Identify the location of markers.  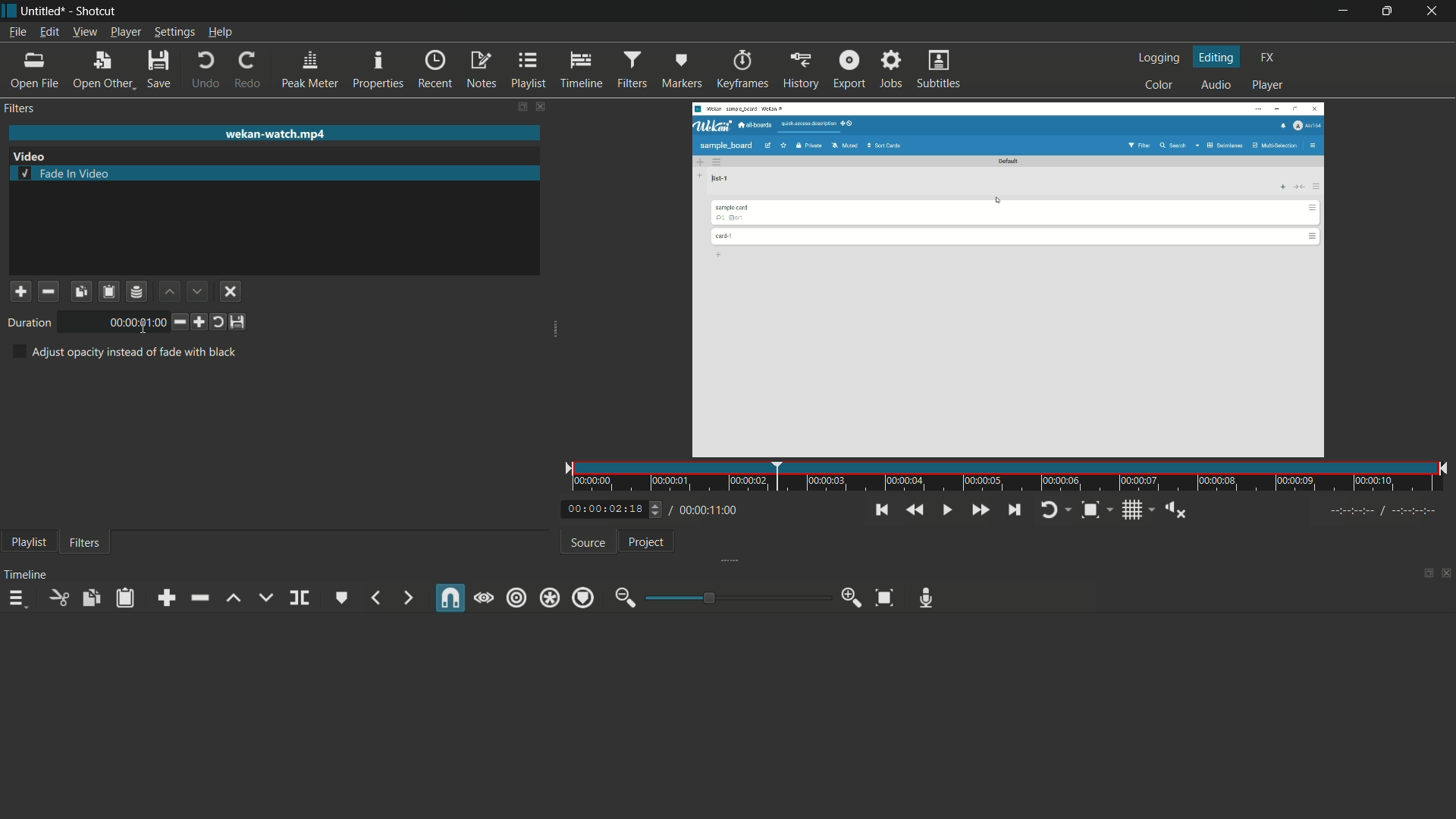
(681, 71).